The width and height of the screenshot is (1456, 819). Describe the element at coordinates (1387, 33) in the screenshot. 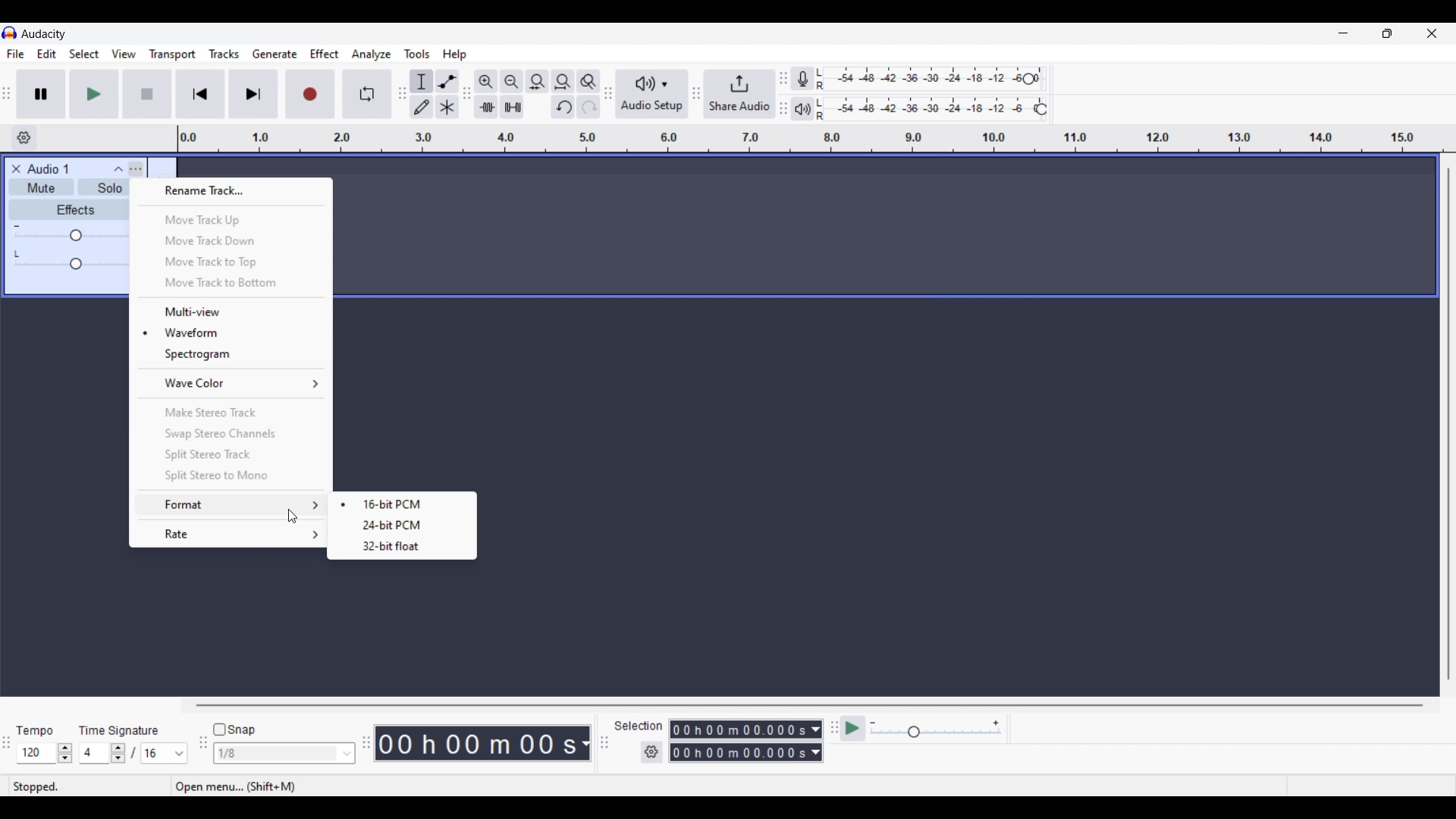

I see `Show interface in a smaller tab` at that location.